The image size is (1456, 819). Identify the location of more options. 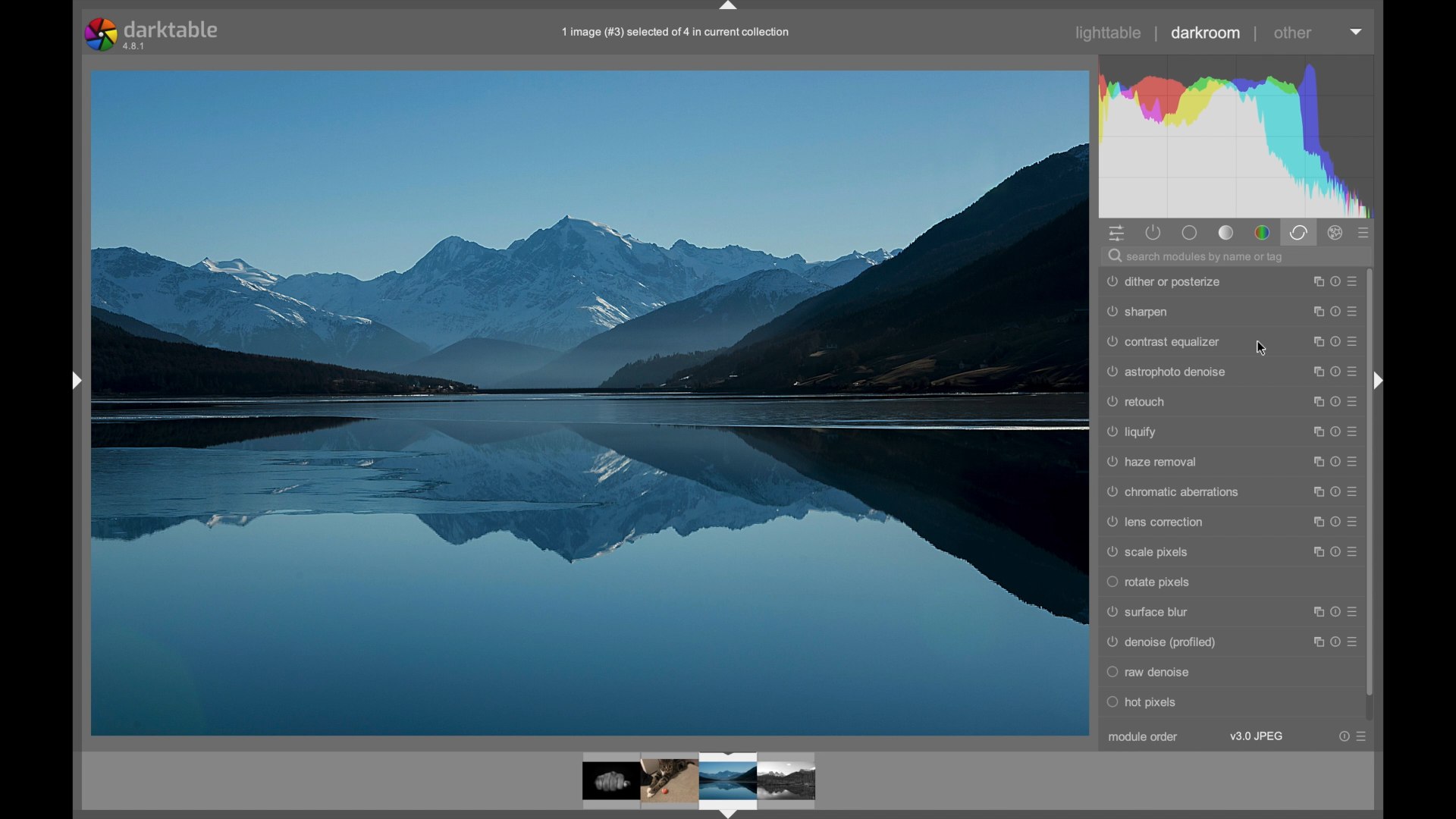
(1332, 611).